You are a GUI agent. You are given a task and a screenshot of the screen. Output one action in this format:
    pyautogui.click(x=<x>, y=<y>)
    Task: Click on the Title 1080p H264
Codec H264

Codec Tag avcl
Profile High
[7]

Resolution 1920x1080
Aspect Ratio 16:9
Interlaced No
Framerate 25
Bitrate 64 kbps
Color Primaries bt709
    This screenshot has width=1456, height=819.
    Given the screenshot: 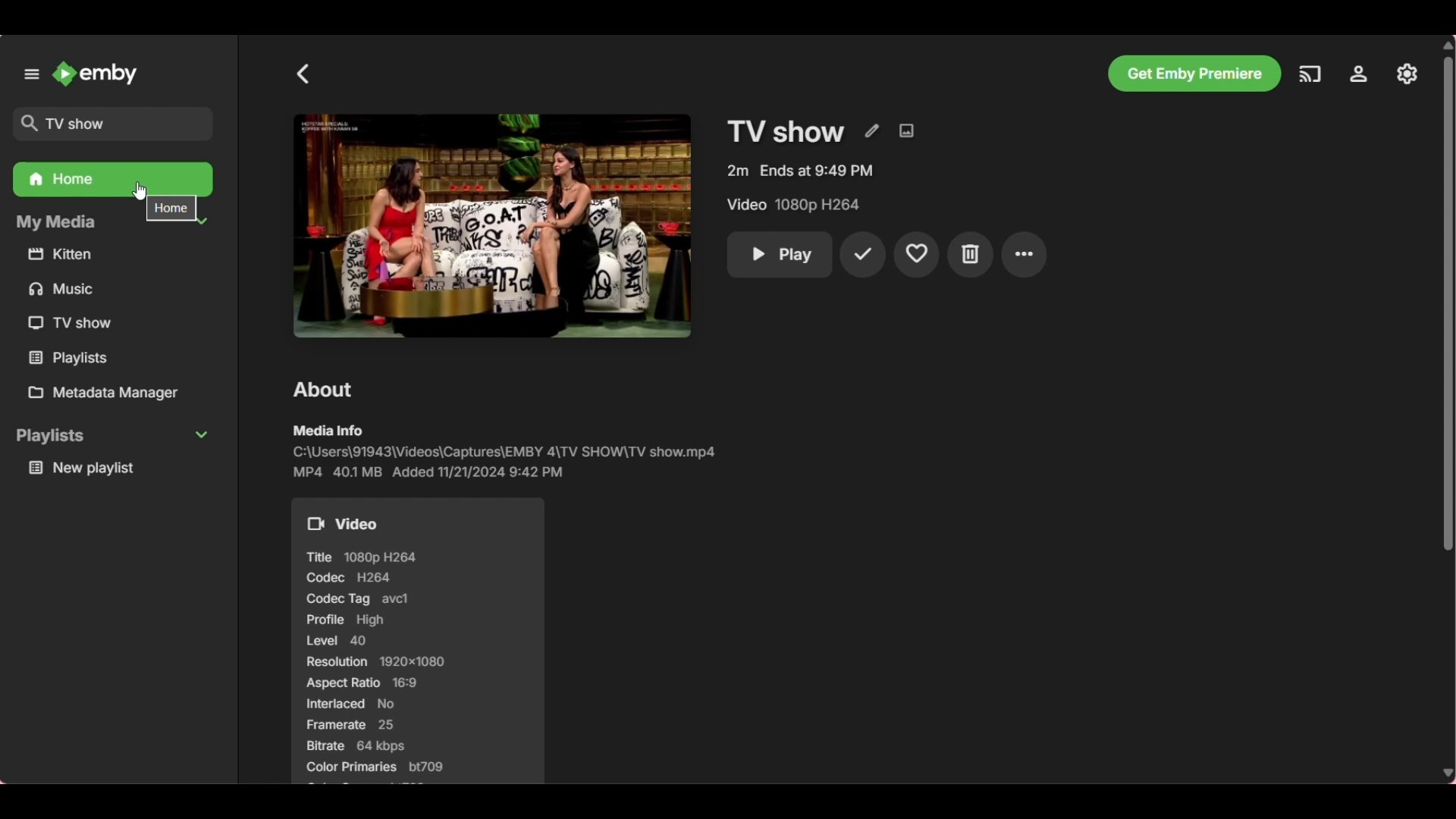 What is the action you would take?
    pyautogui.click(x=391, y=667)
    